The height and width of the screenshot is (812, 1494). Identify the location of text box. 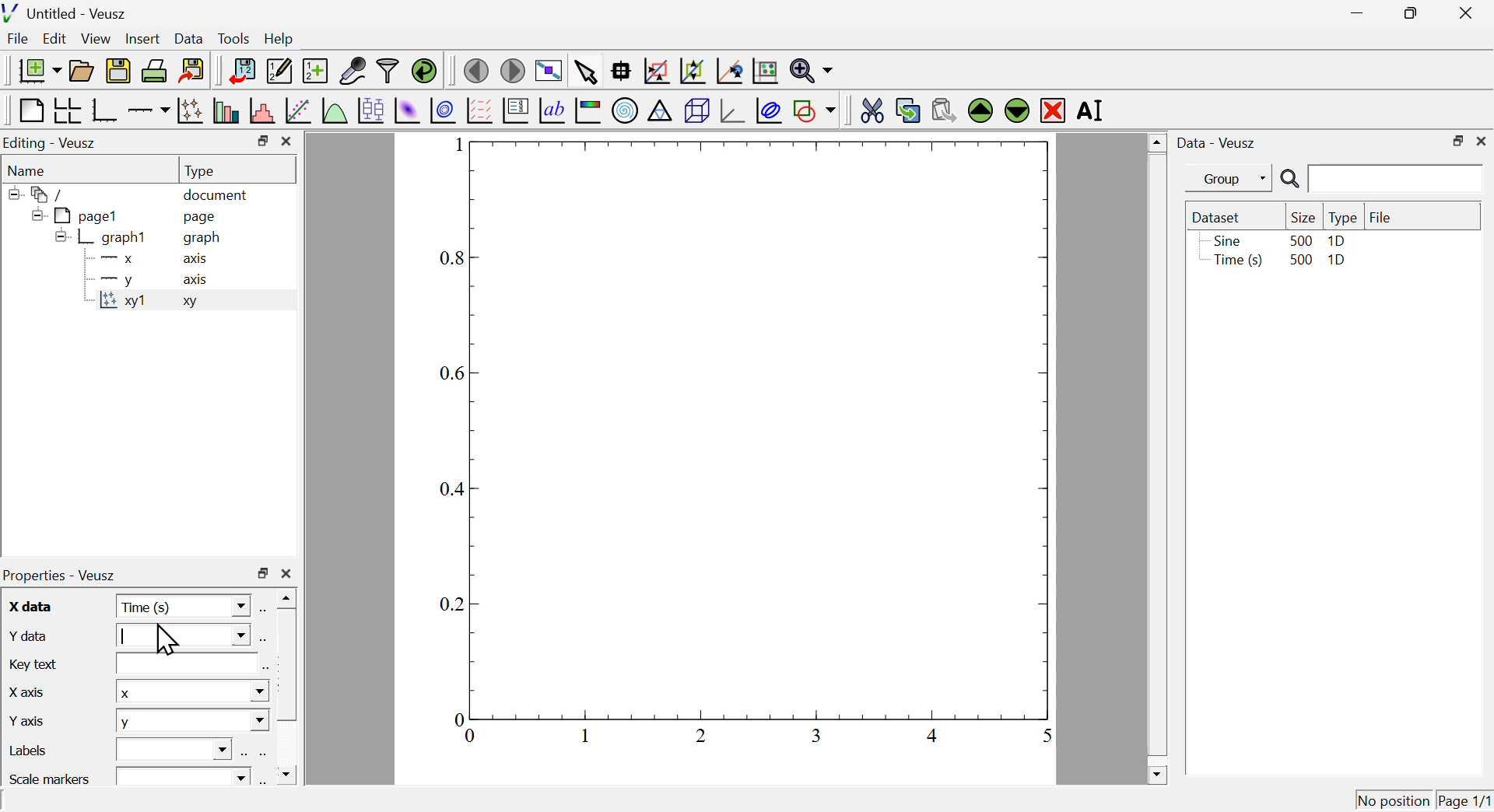
(183, 638).